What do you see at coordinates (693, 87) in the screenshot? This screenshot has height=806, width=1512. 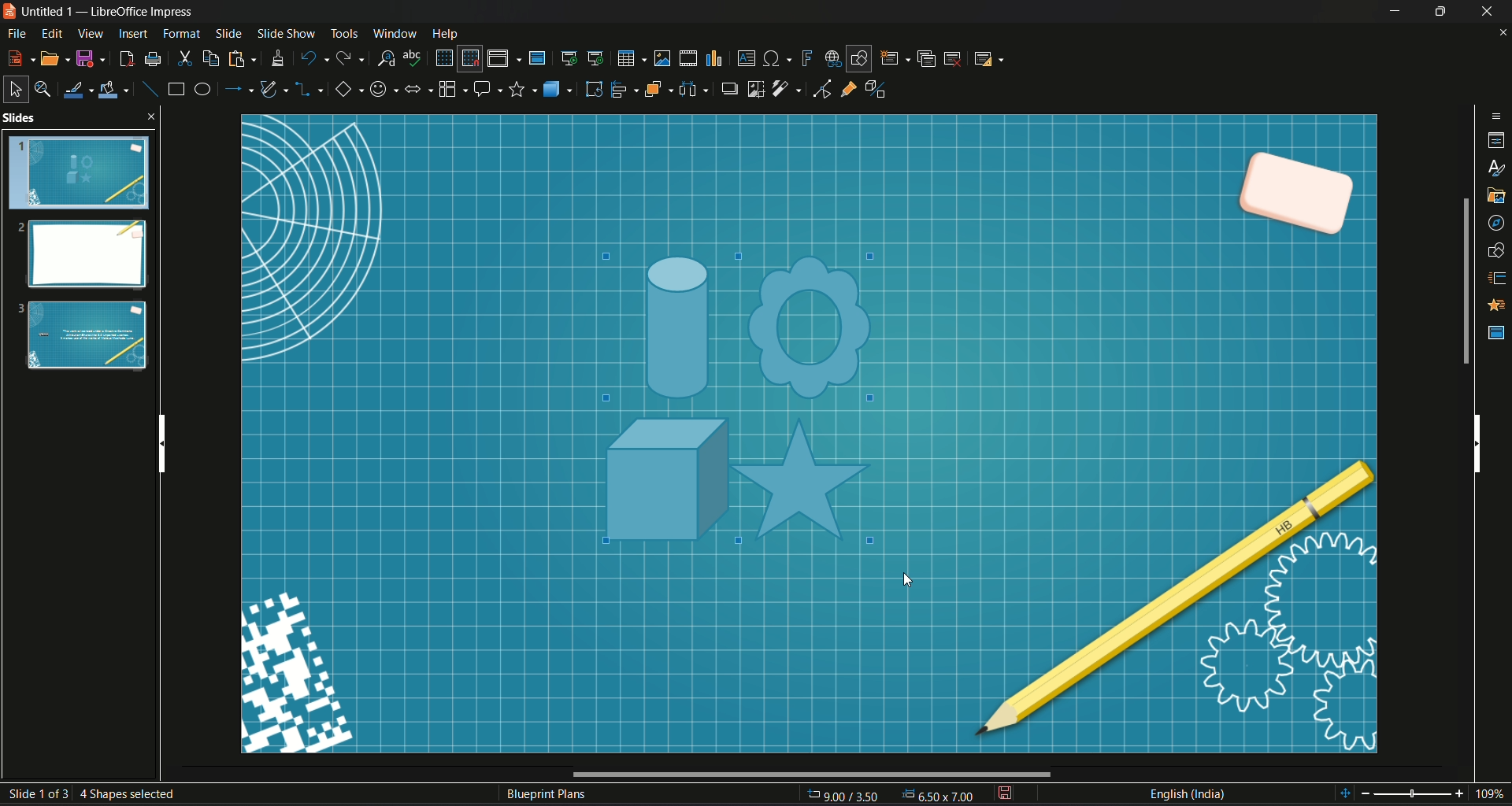 I see `select image` at bounding box center [693, 87].